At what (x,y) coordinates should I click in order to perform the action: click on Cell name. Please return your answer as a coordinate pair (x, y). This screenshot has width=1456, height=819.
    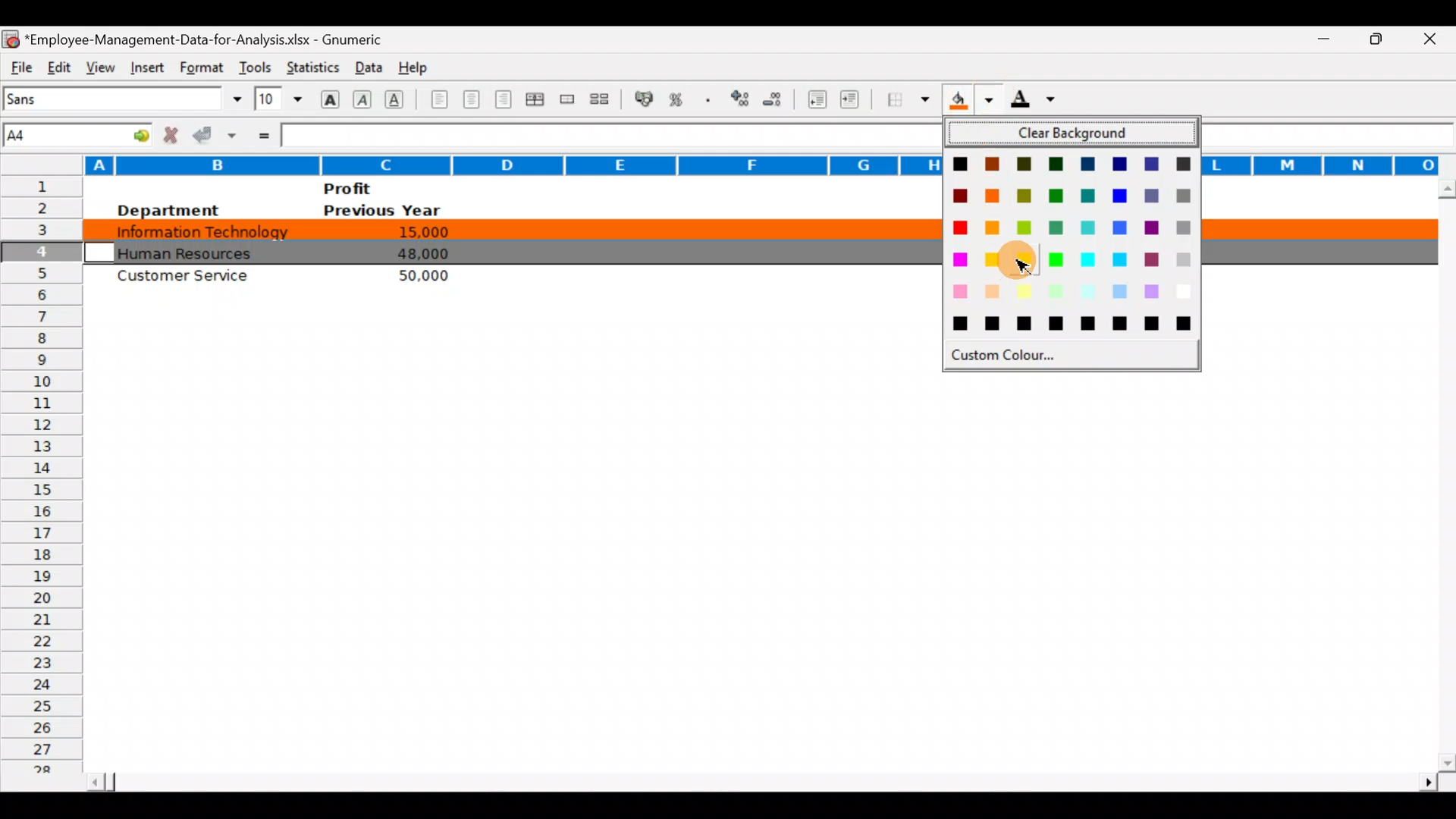
    Looking at the image, I should click on (79, 131).